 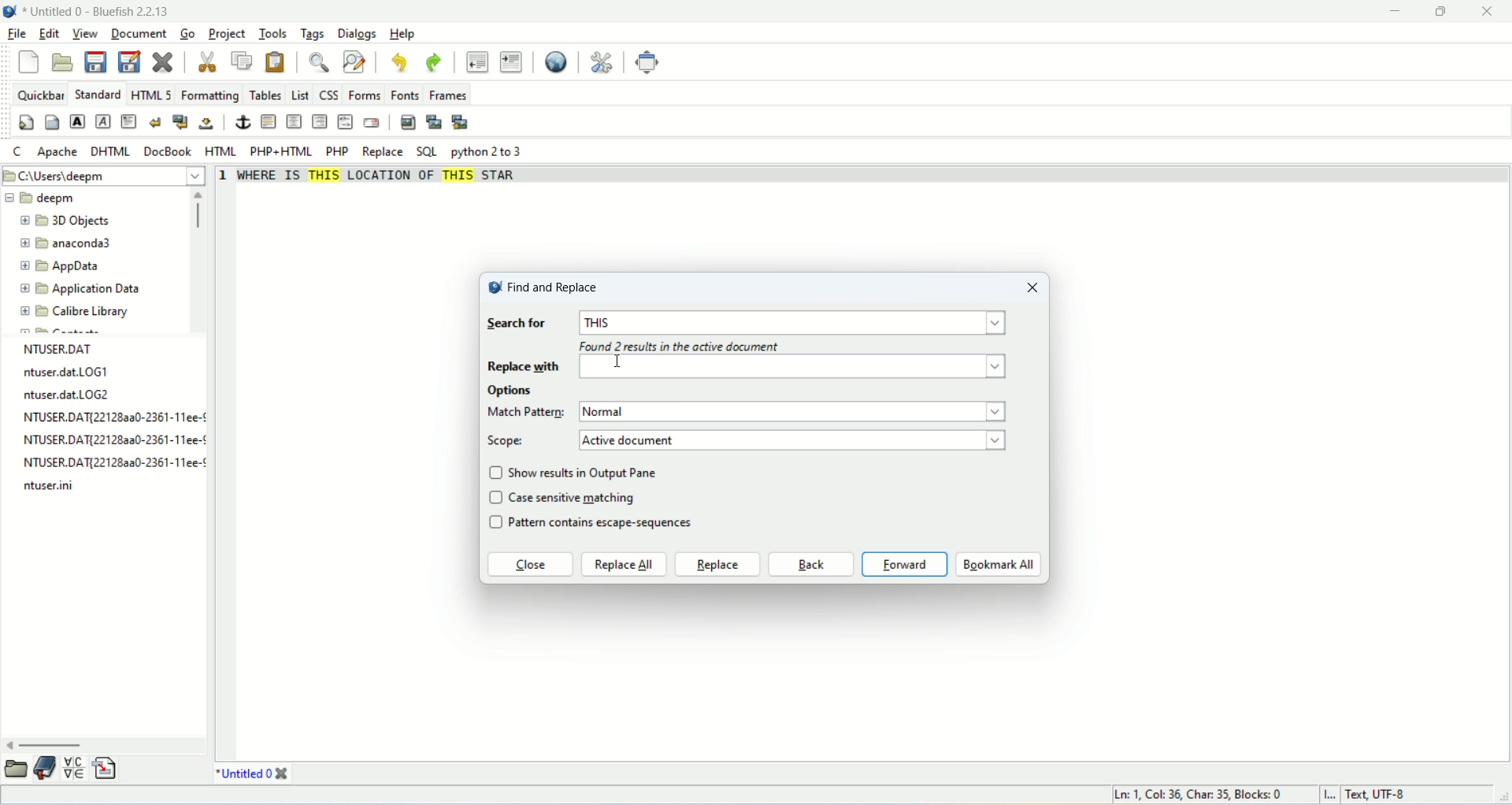 I want to click on undo, so click(x=398, y=62).